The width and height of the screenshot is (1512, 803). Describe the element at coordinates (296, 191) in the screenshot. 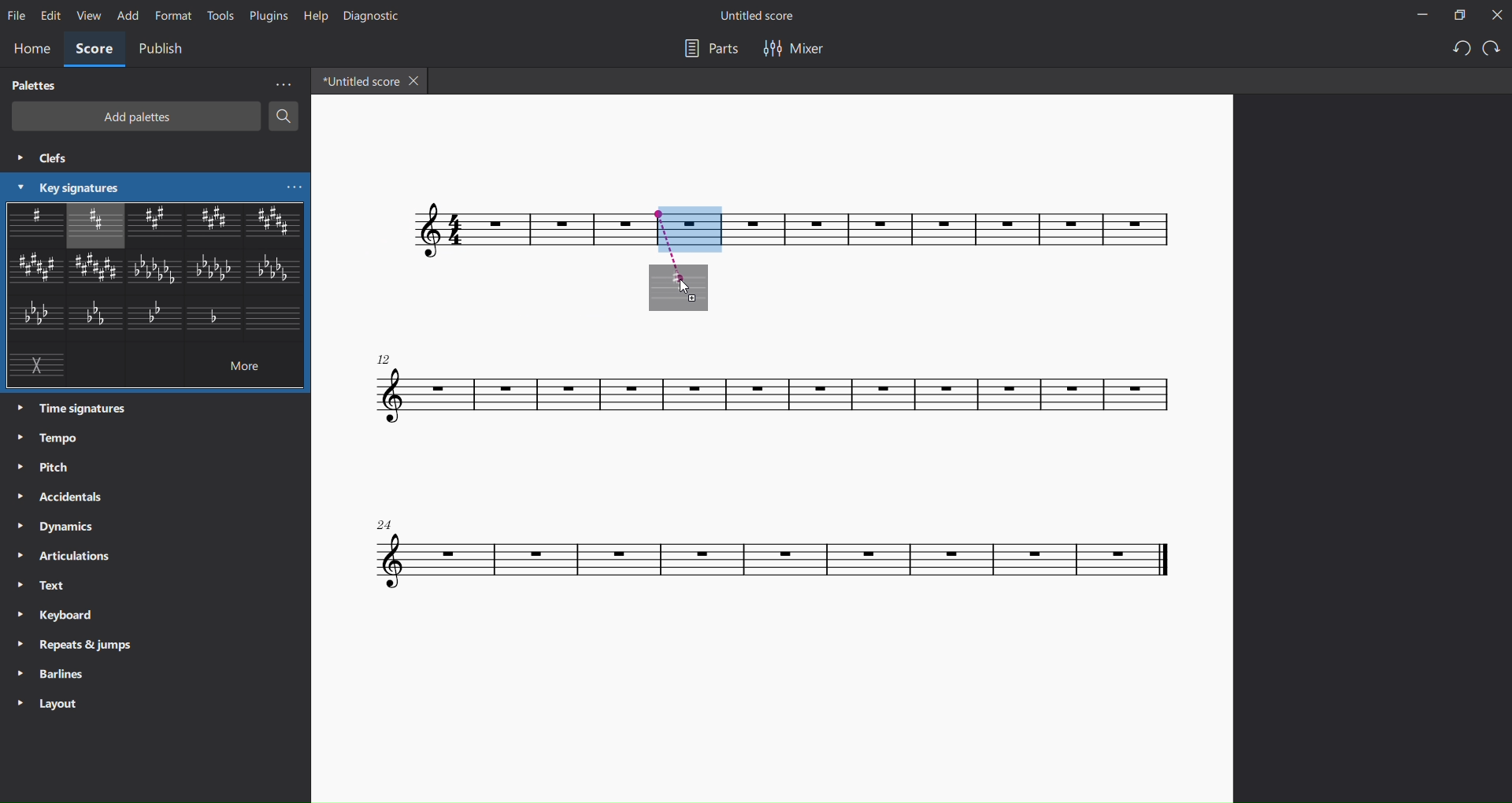

I see `more key signatures options` at that location.